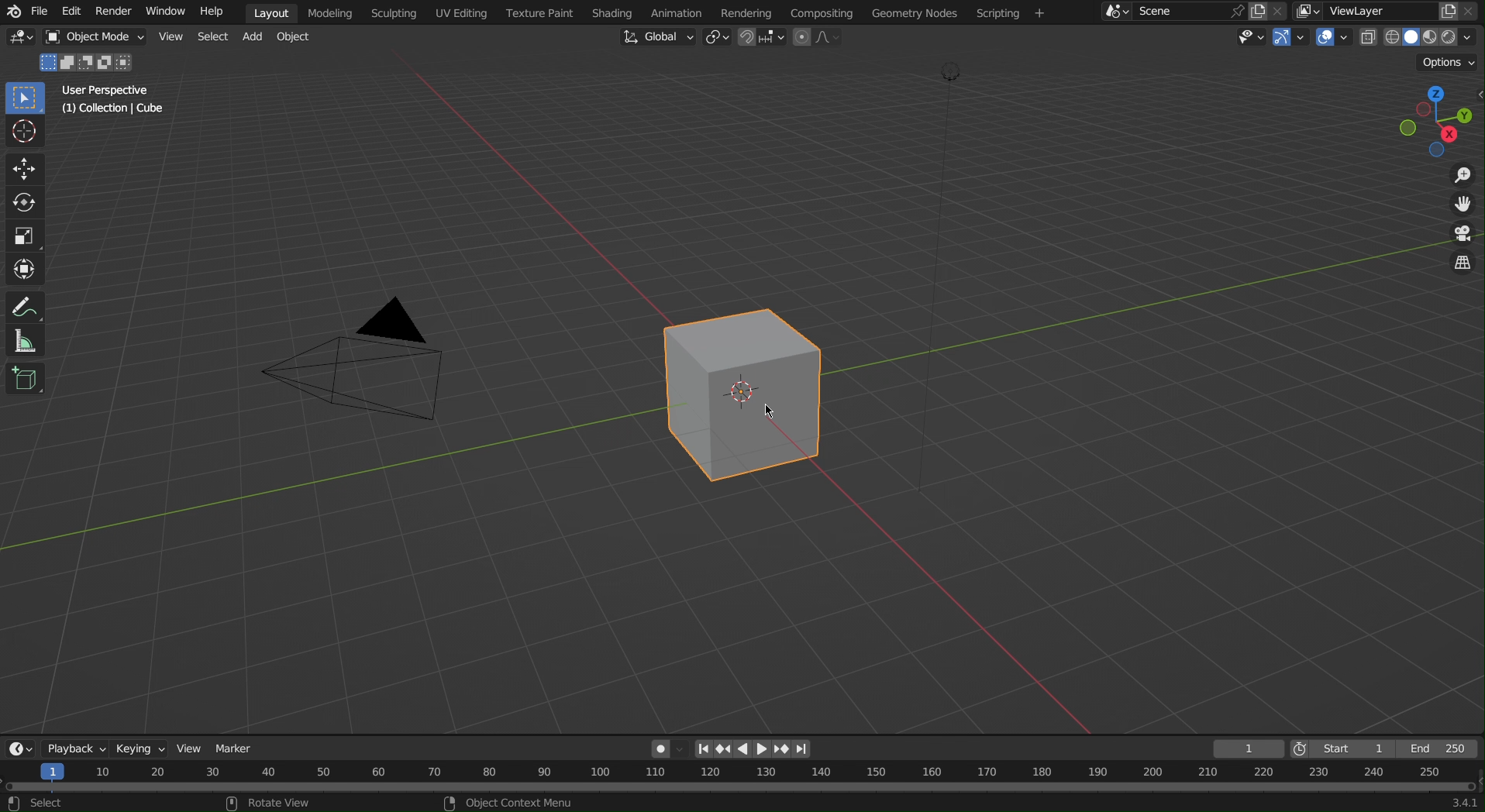  What do you see at coordinates (25, 98) in the screenshot?
I see `Select Box` at bounding box center [25, 98].